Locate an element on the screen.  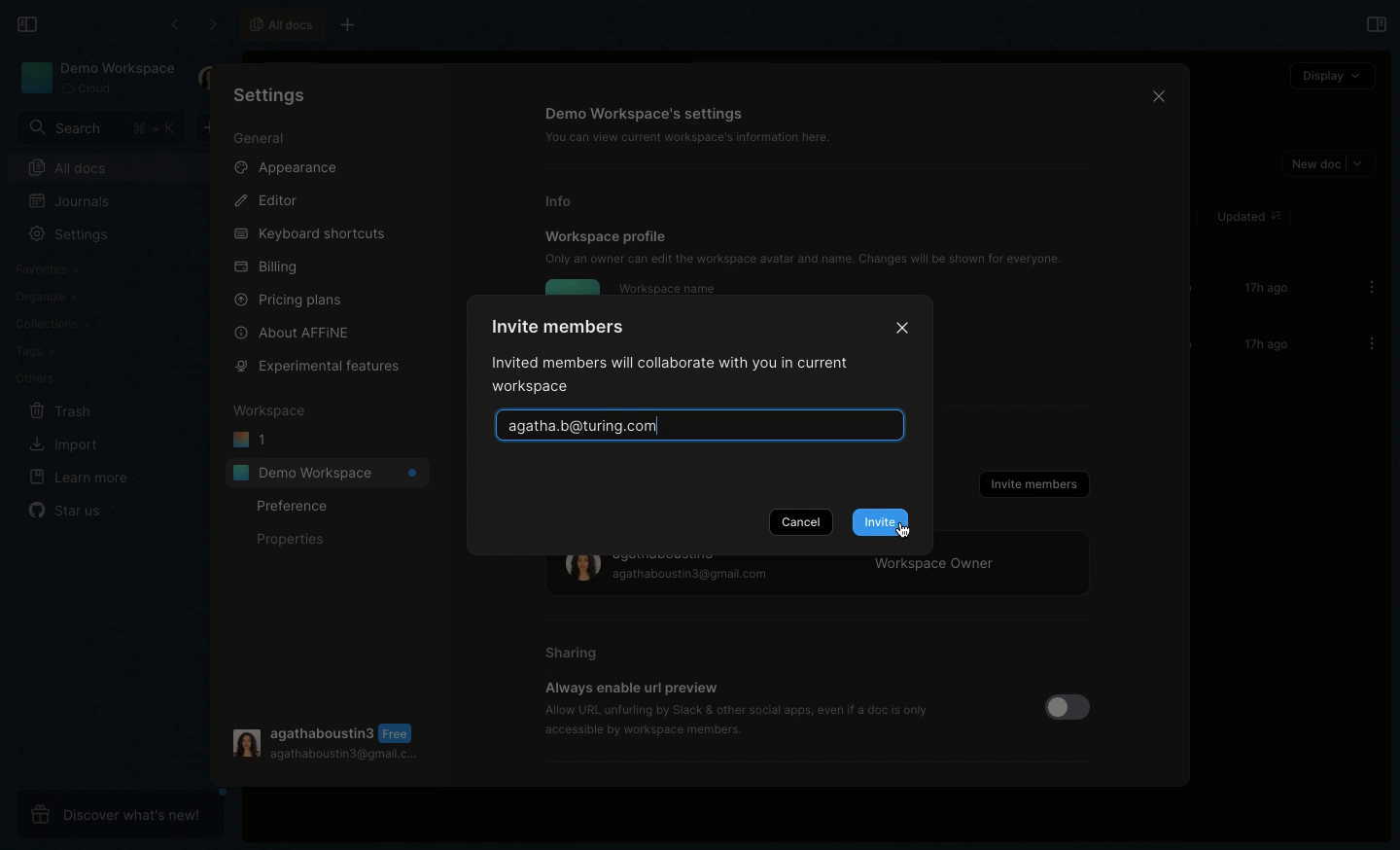
User is located at coordinates (326, 741).